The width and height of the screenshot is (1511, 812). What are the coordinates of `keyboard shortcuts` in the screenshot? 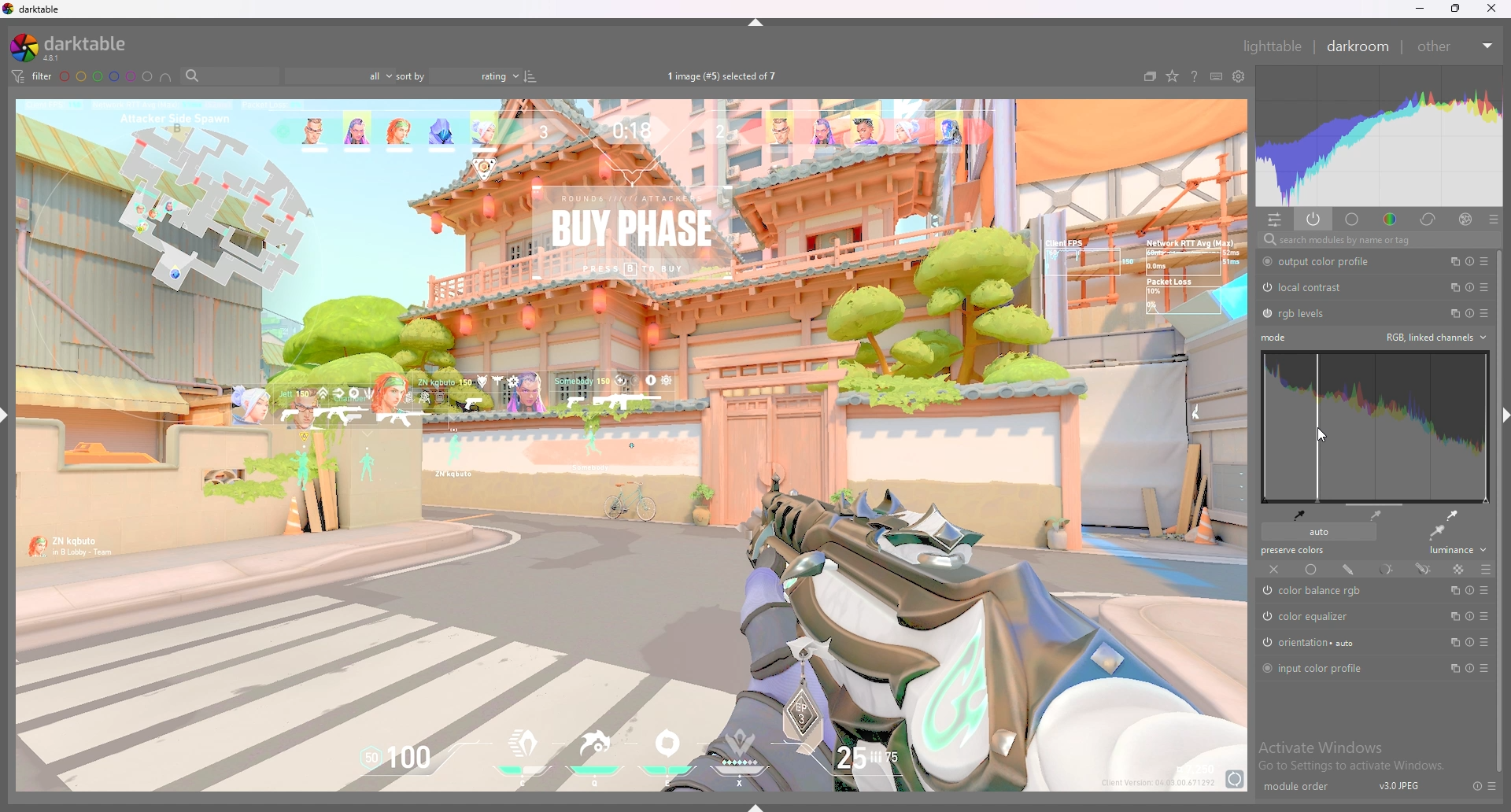 It's located at (1217, 78).